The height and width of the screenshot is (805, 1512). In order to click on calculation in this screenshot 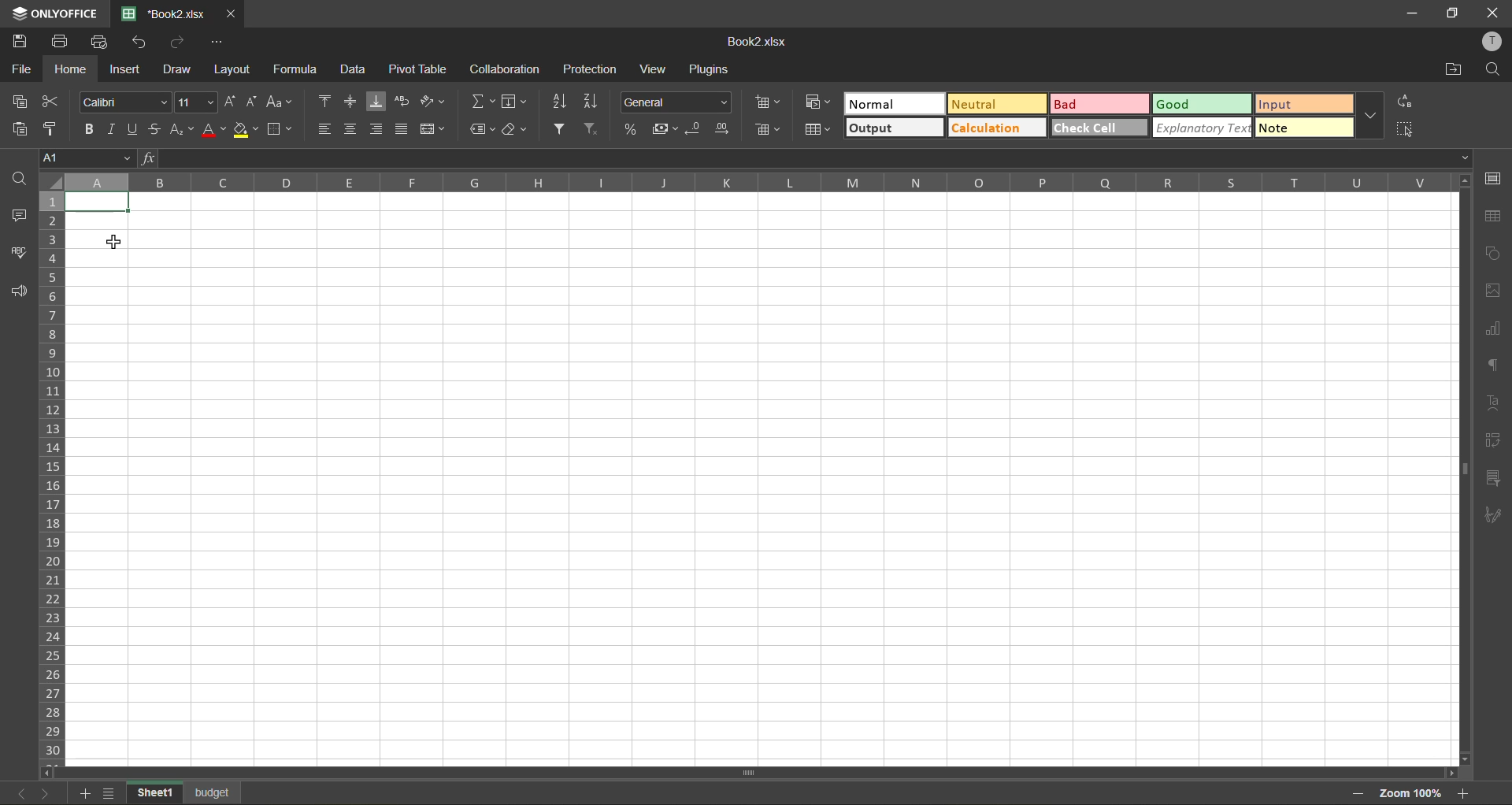, I will do `click(995, 130)`.